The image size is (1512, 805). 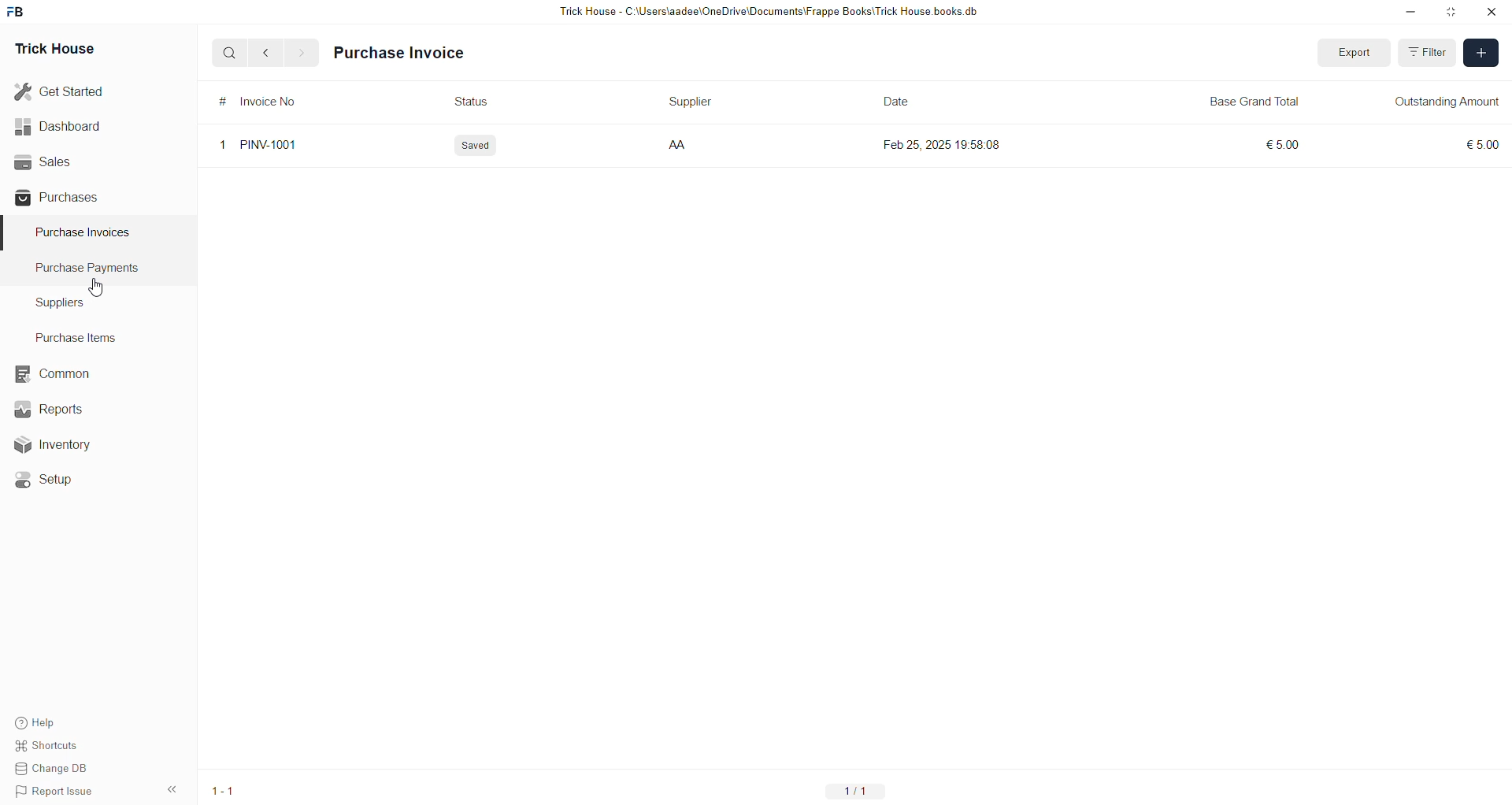 I want to click on Reports, so click(x=50, y=408).